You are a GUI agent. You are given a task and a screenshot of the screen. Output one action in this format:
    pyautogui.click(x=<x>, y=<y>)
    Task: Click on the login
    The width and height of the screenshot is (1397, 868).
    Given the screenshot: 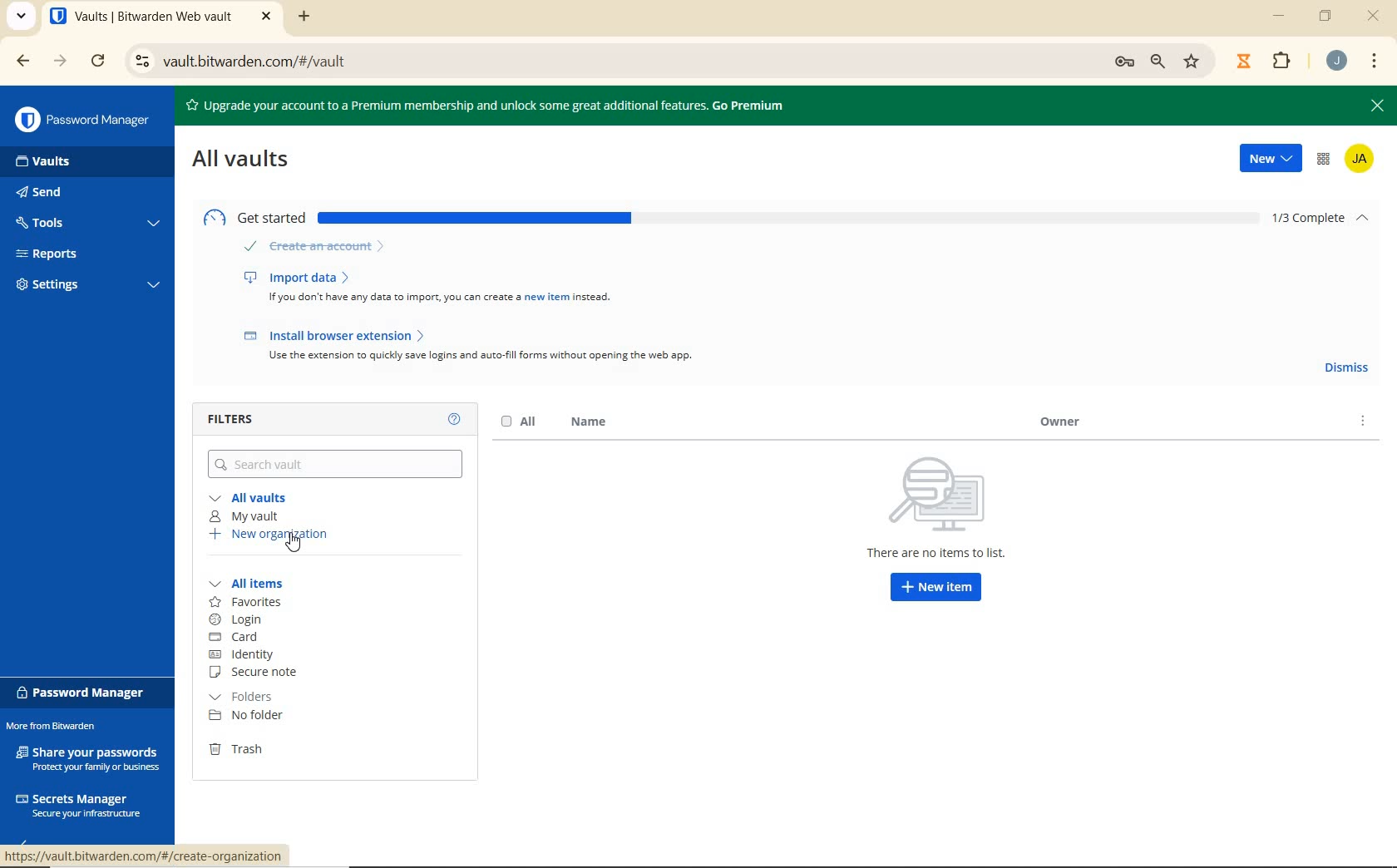 What is the action you would take?
    pyautogui.click(x=247, y=620)
    